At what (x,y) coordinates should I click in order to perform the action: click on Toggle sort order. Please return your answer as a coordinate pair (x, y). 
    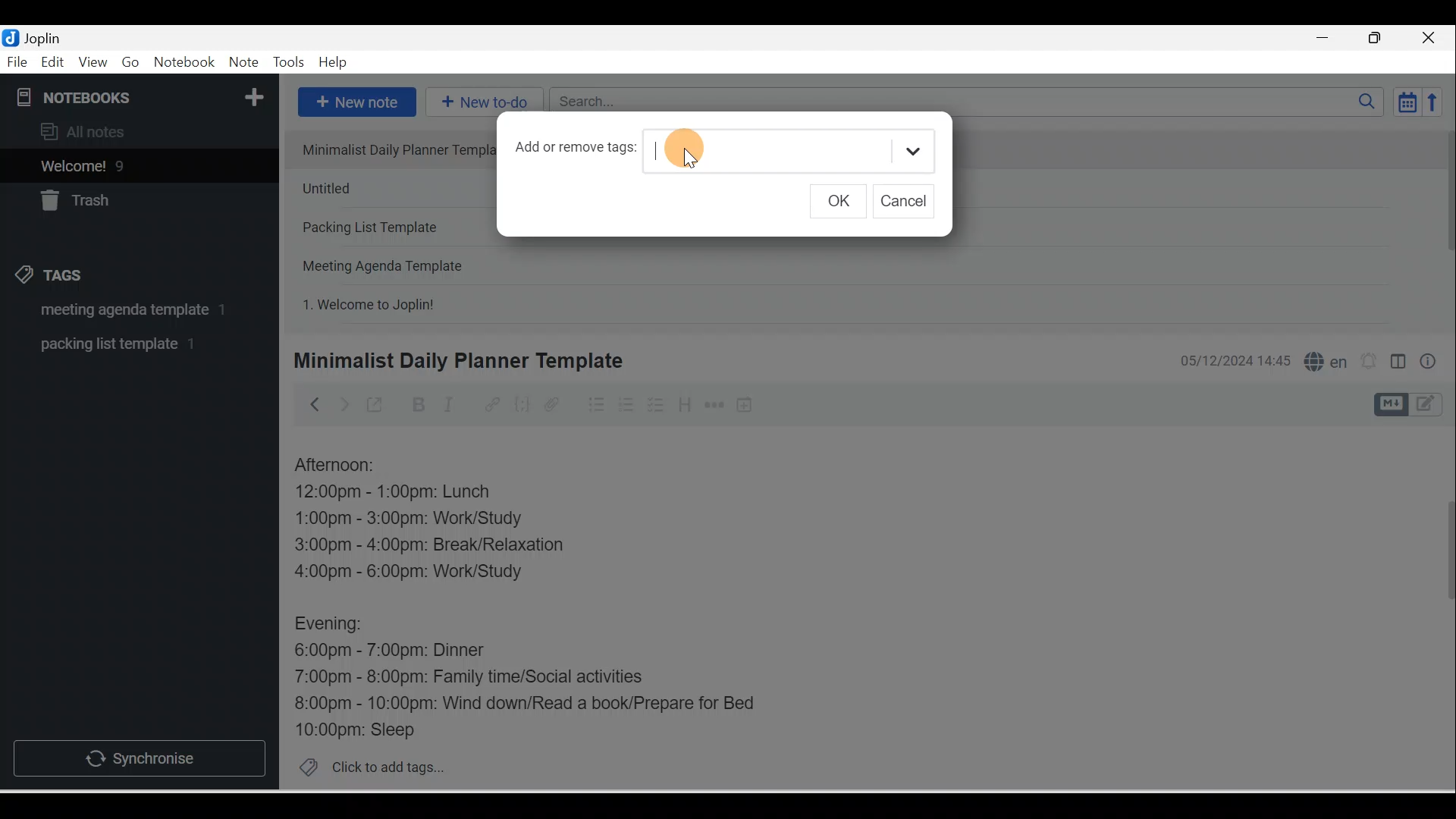
    Looking at the image, I should click on (1407, 101).